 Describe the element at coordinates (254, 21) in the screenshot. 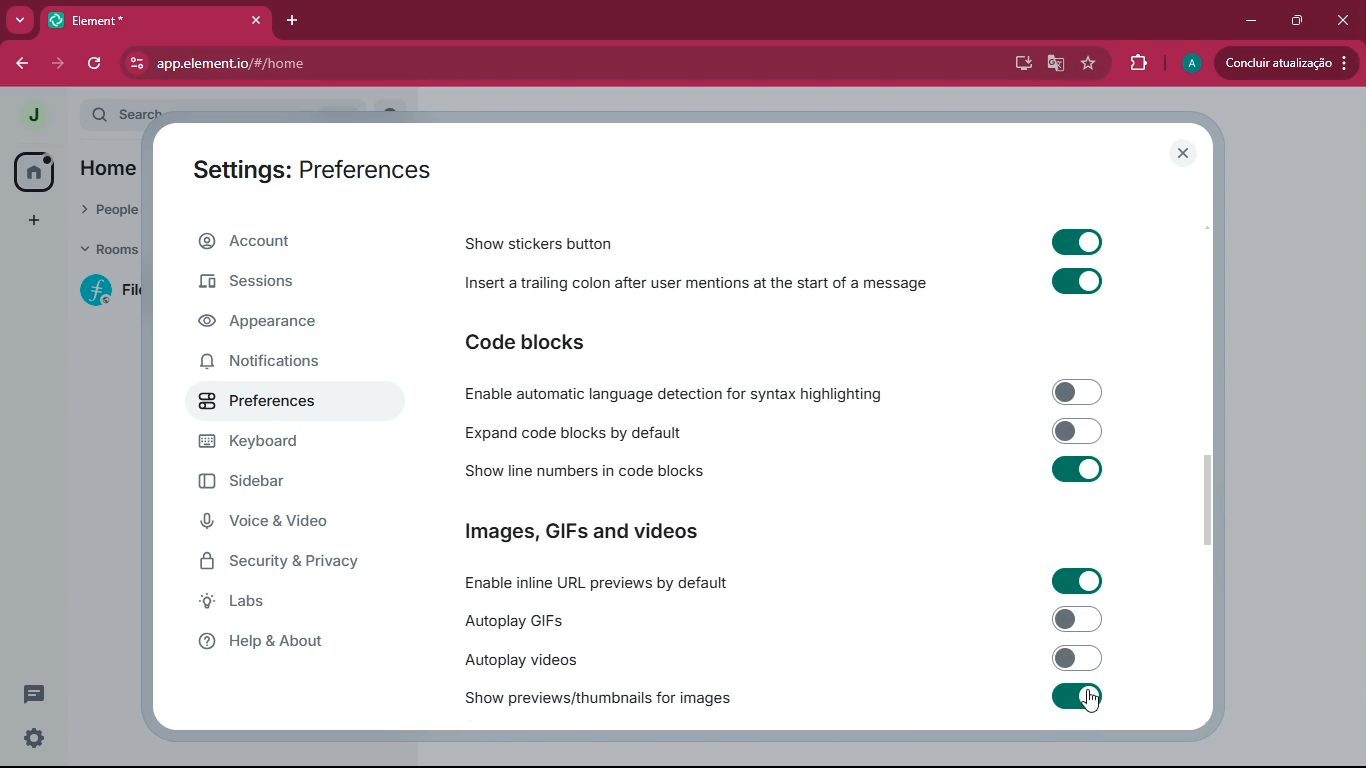

I see `Close` at that location.